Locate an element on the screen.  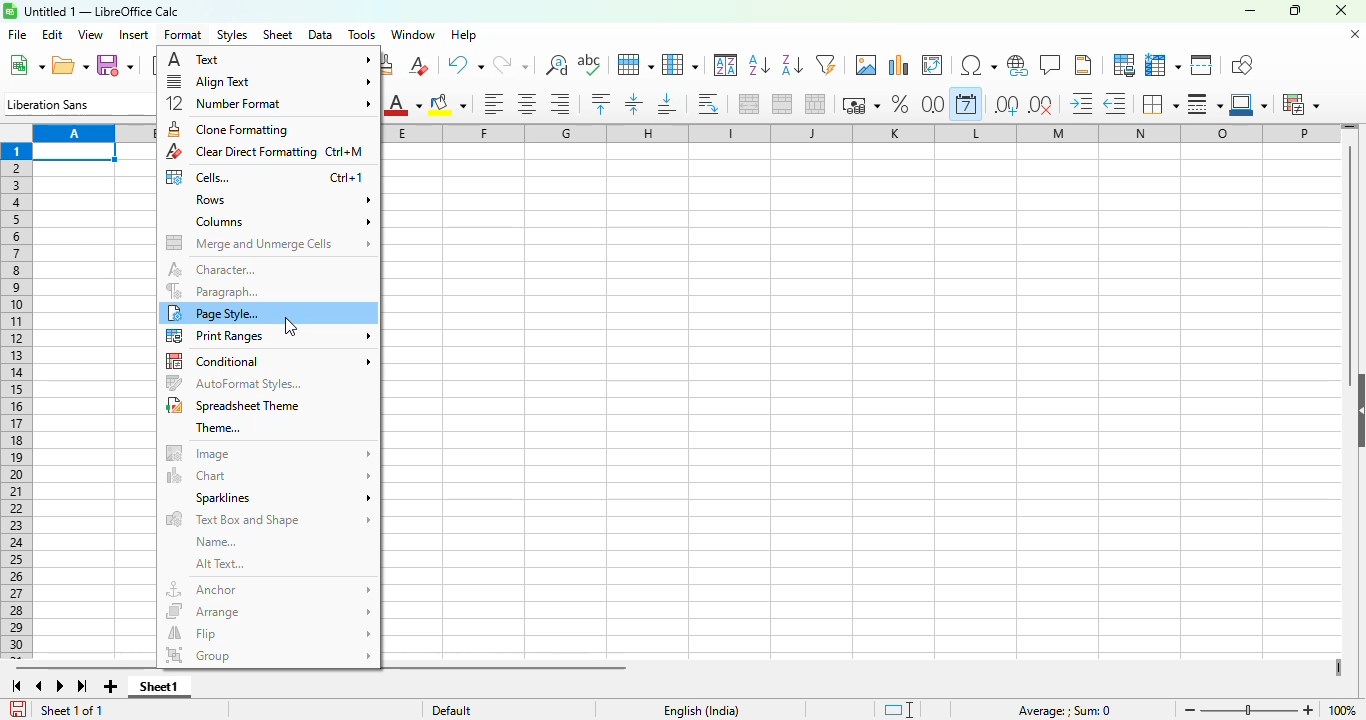
clear direct formatting is located at coordinates (419, 65).